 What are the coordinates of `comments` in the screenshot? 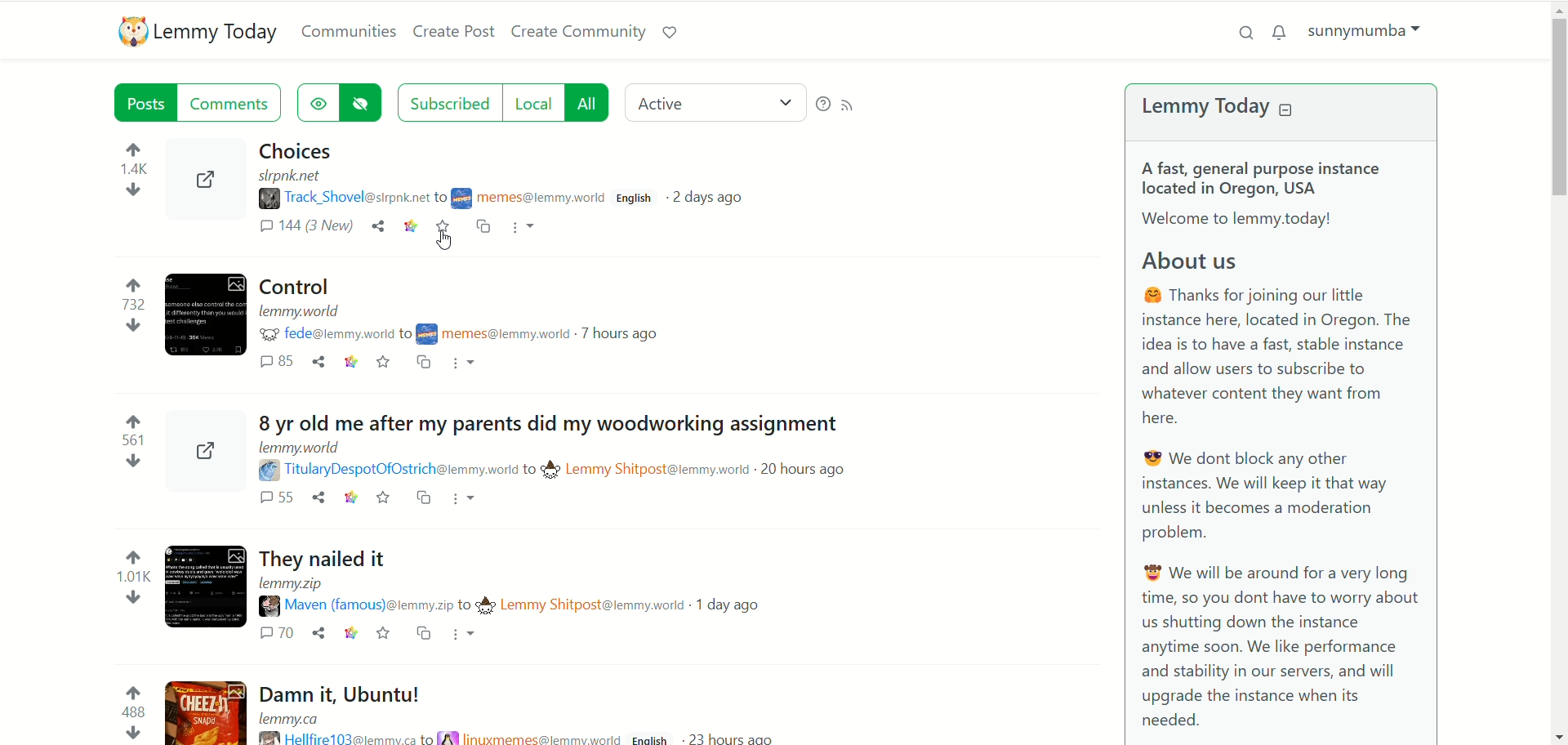 It's located at (302, 229).